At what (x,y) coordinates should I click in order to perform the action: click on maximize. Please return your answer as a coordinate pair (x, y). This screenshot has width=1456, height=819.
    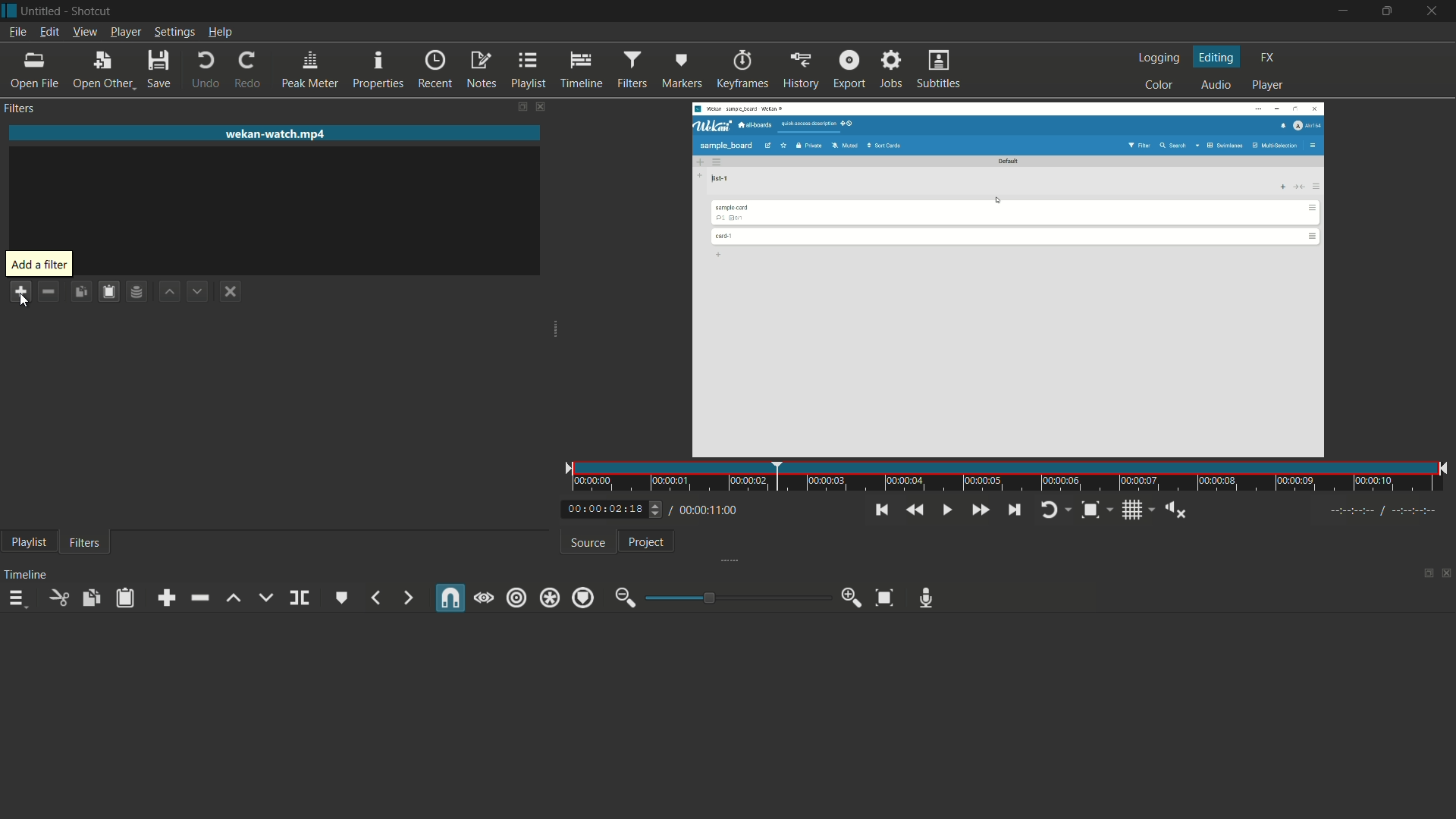
    Looking at the image, I should click on (1389, 11).